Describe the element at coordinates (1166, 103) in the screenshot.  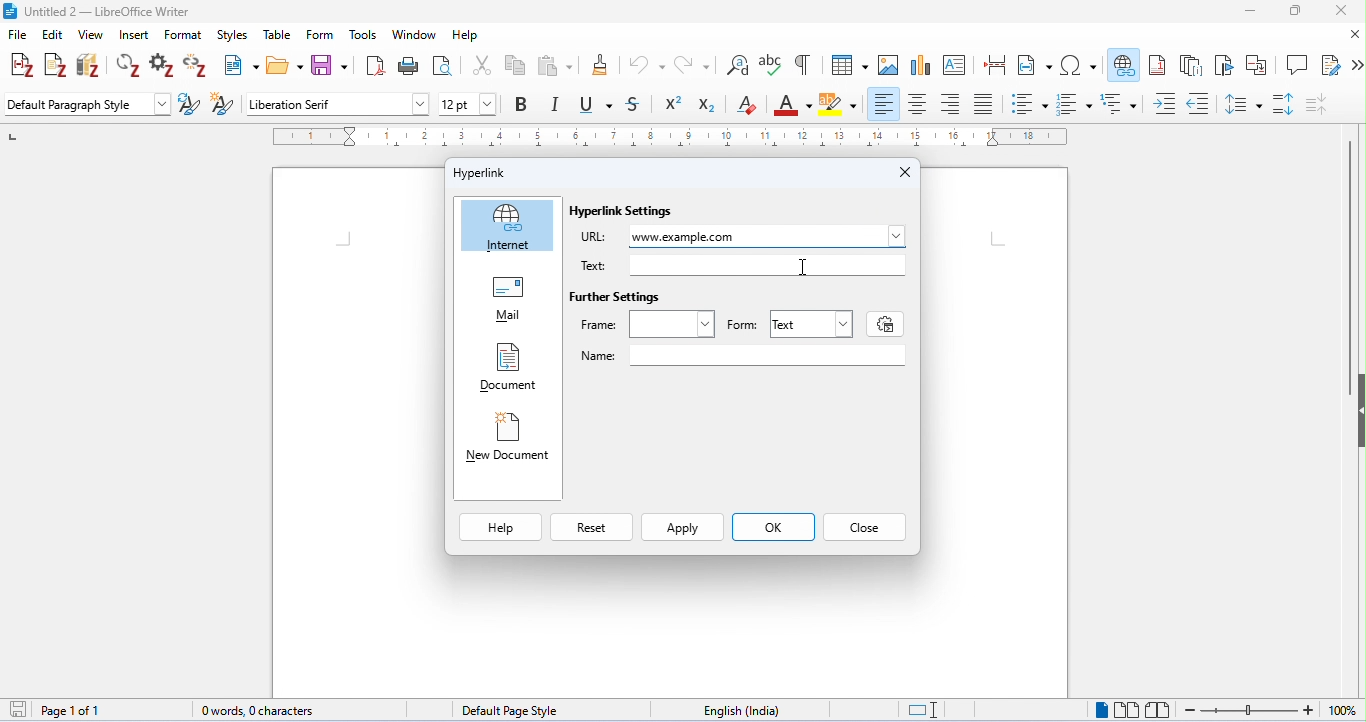
I see `increase indent` at that location.